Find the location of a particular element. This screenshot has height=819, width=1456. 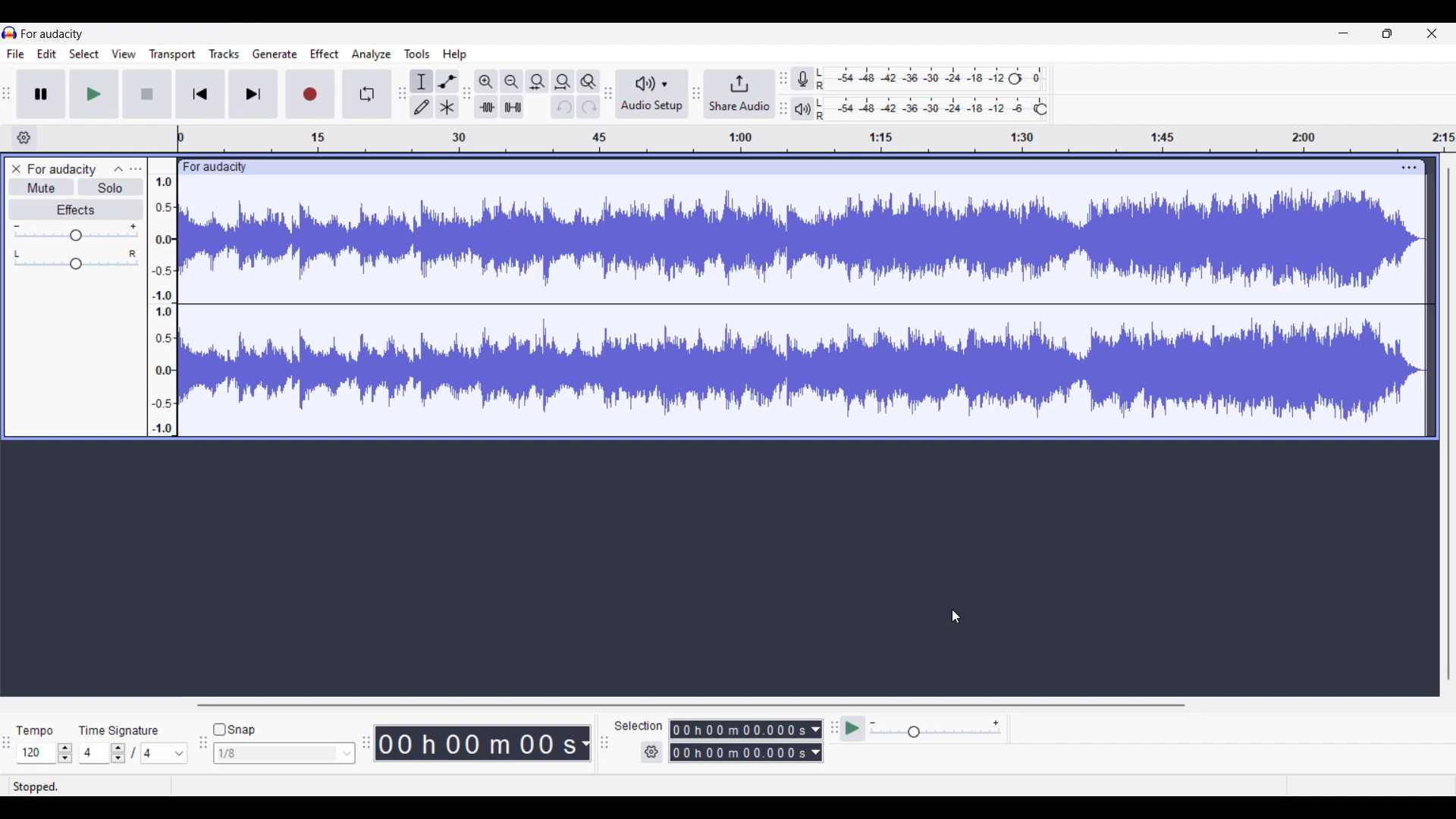

Header to change pan is located at coordinates (76, 264).